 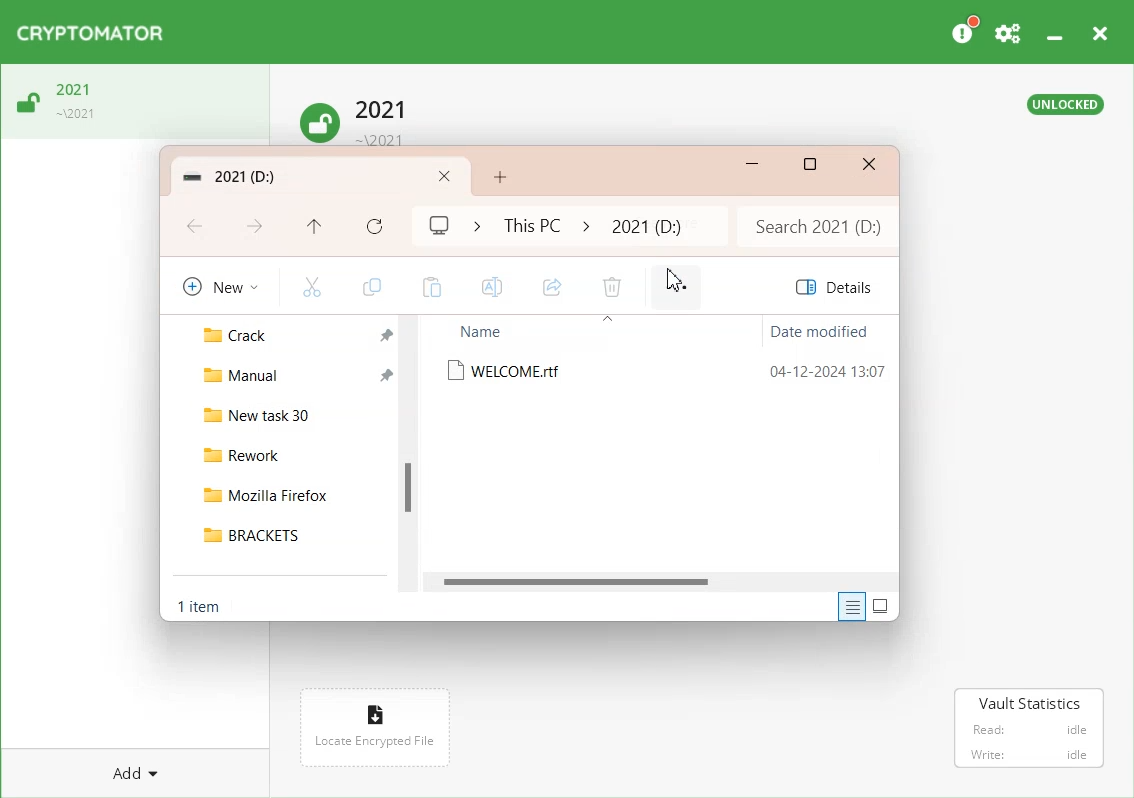 What do you see at coordinates (851, 607) in the screenshot?
I see `Display information about each item in the window` at bounding box center [851, 607].